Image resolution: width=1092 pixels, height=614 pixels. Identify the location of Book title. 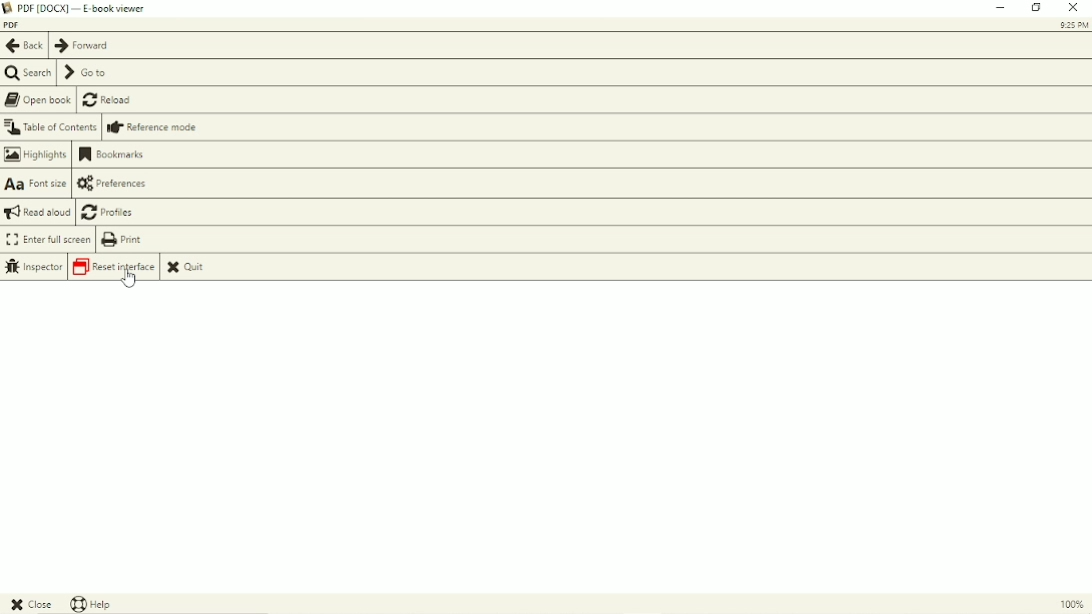
(12, 25).